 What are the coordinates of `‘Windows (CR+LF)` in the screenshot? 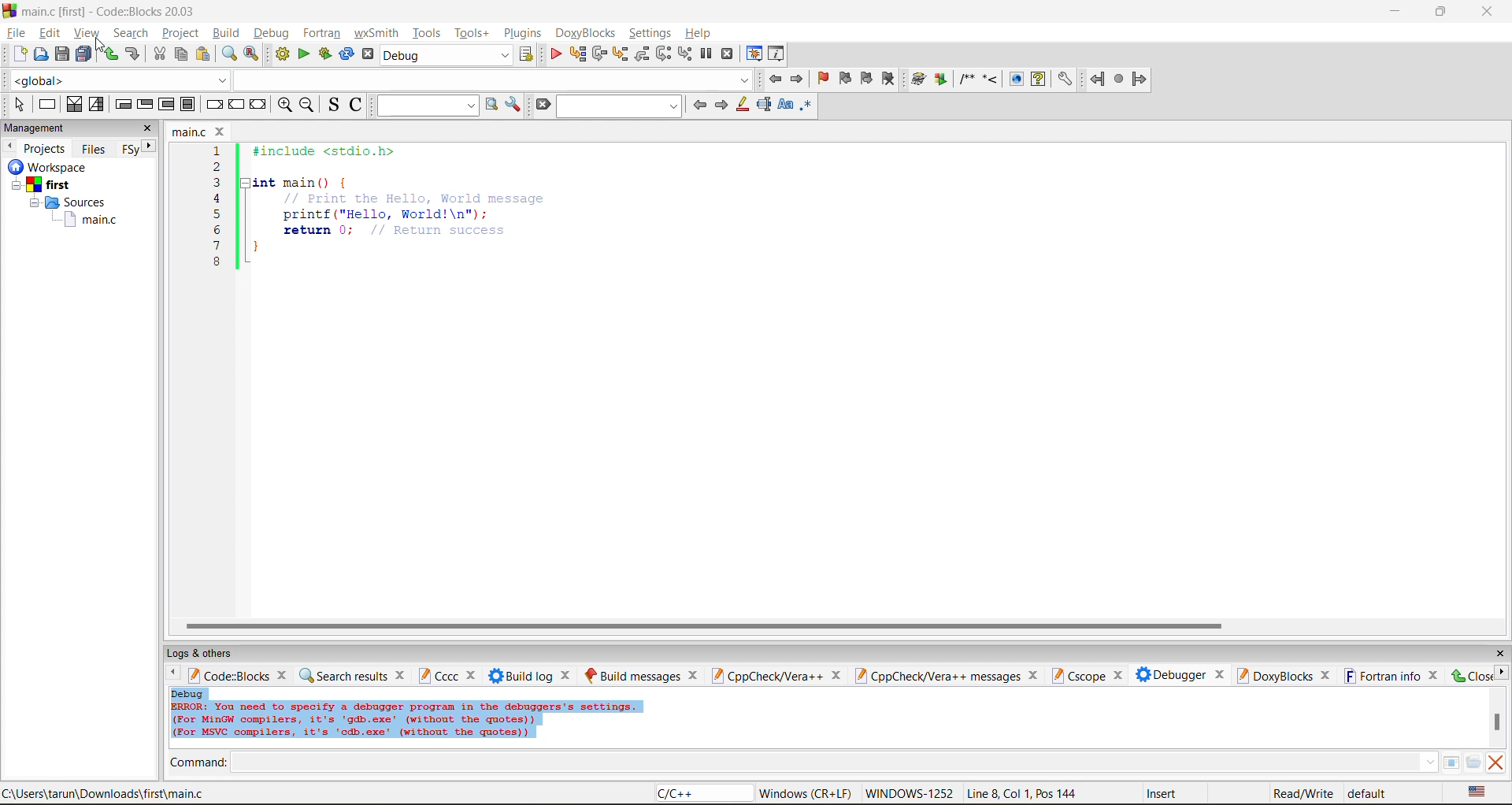 It's located at (803, 793).